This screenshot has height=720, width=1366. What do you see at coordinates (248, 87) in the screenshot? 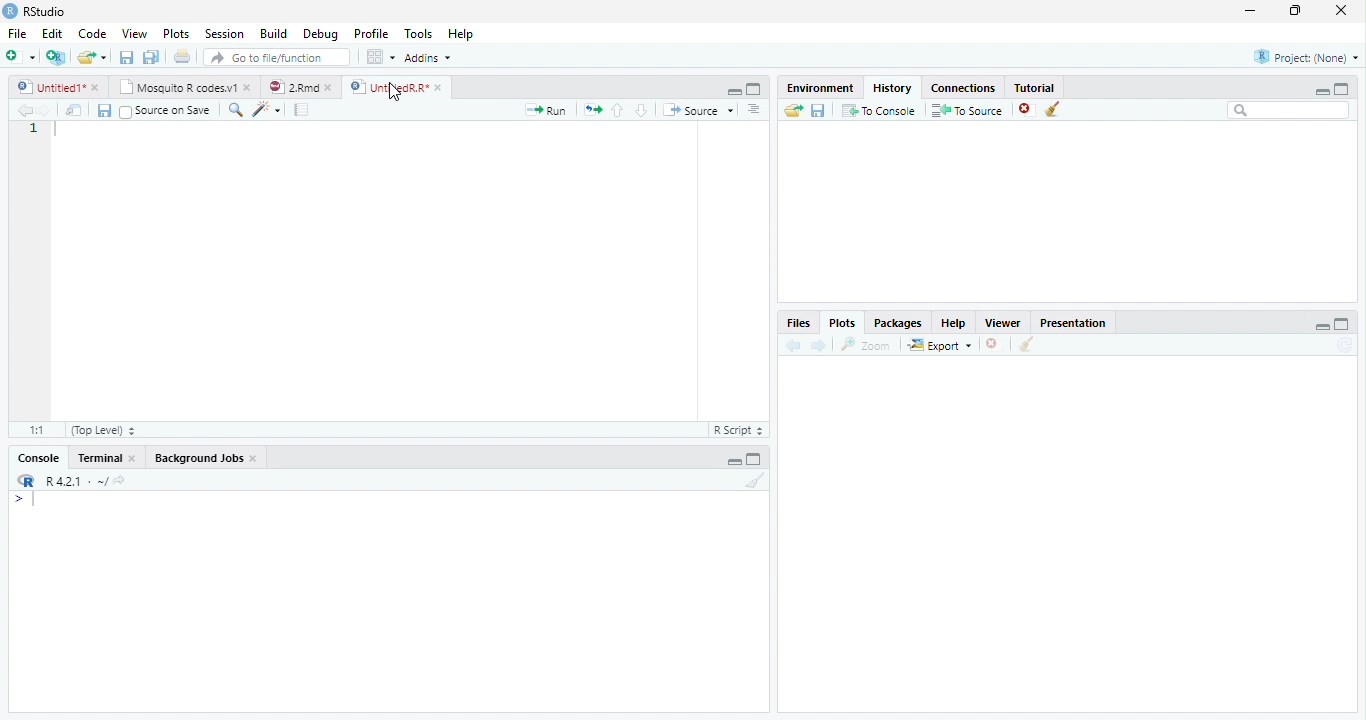
I see `close` at bounding box center [248, 87].